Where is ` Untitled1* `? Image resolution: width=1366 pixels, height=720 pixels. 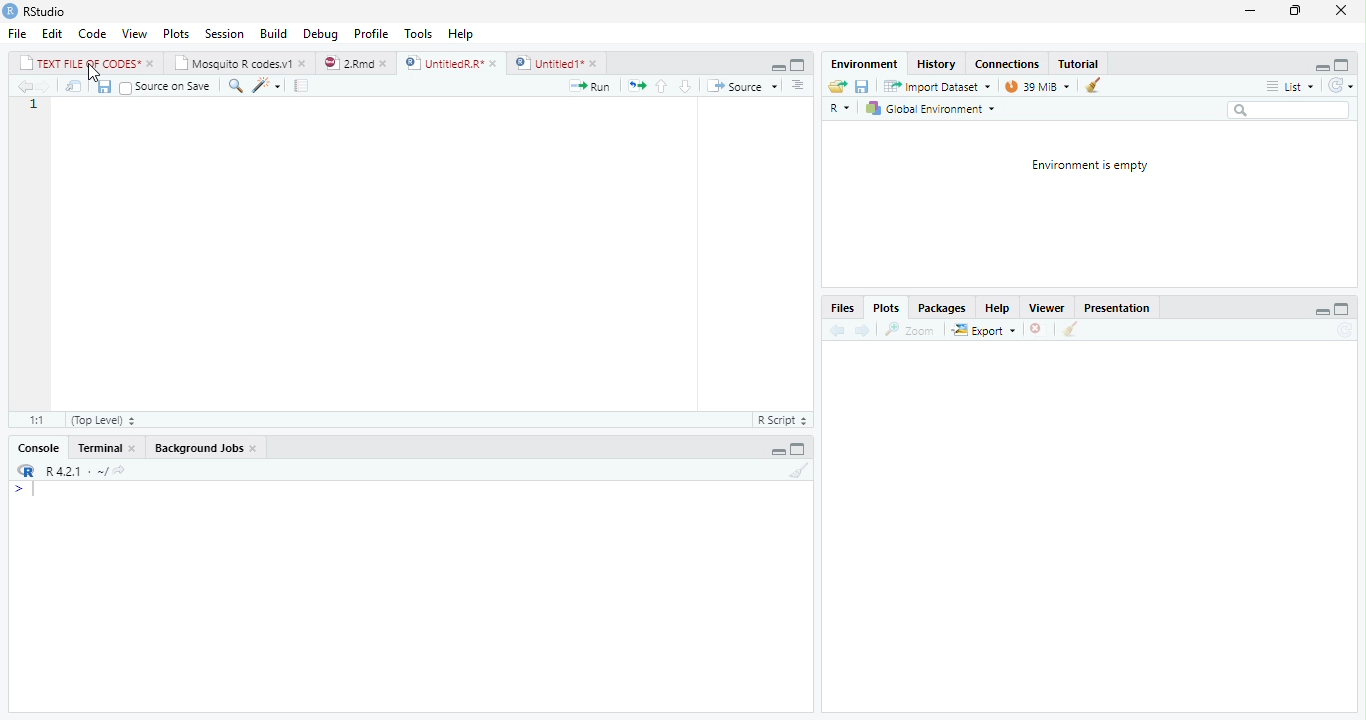  Untitled1*  is located at coordinates (557, 62).